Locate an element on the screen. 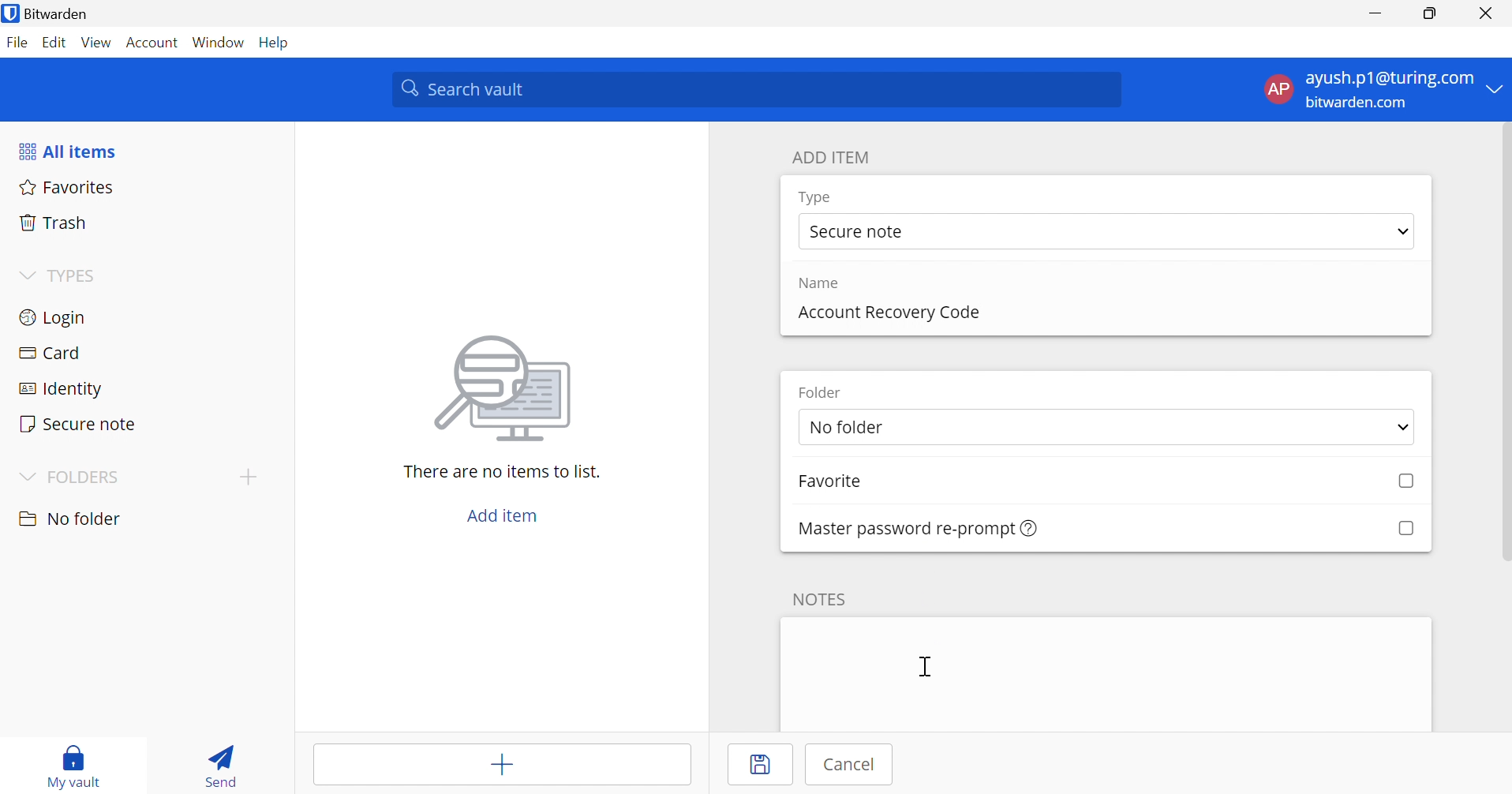 This screenshot has width=1512, height=794. Favorite is located at coordinates (847, 483).